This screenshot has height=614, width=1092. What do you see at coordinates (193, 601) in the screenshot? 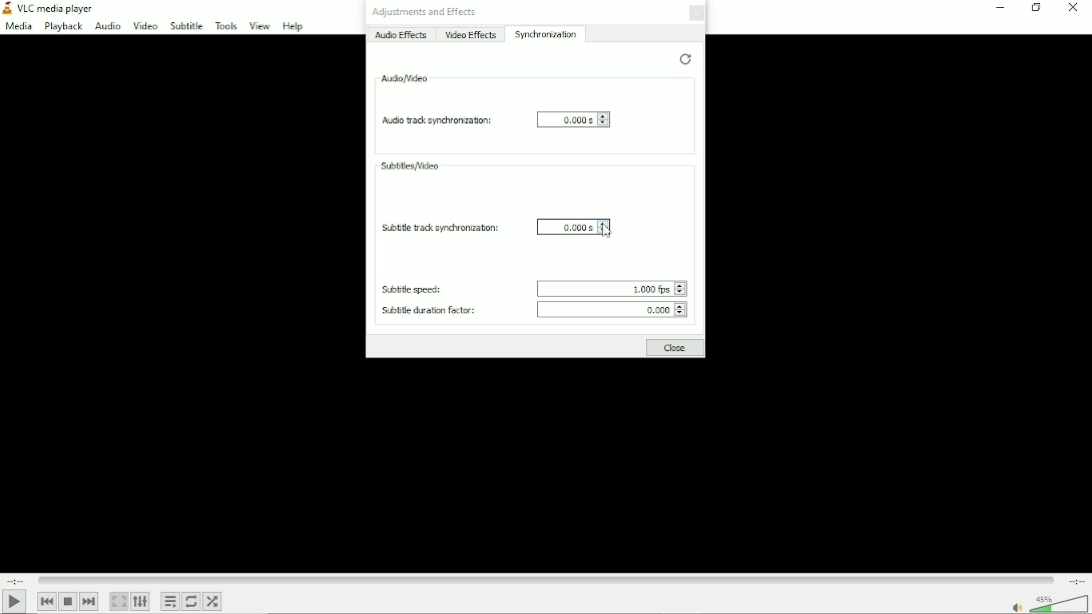
I see `toggle between loop all, loop one and no loop` at bounding box center [193, 601].